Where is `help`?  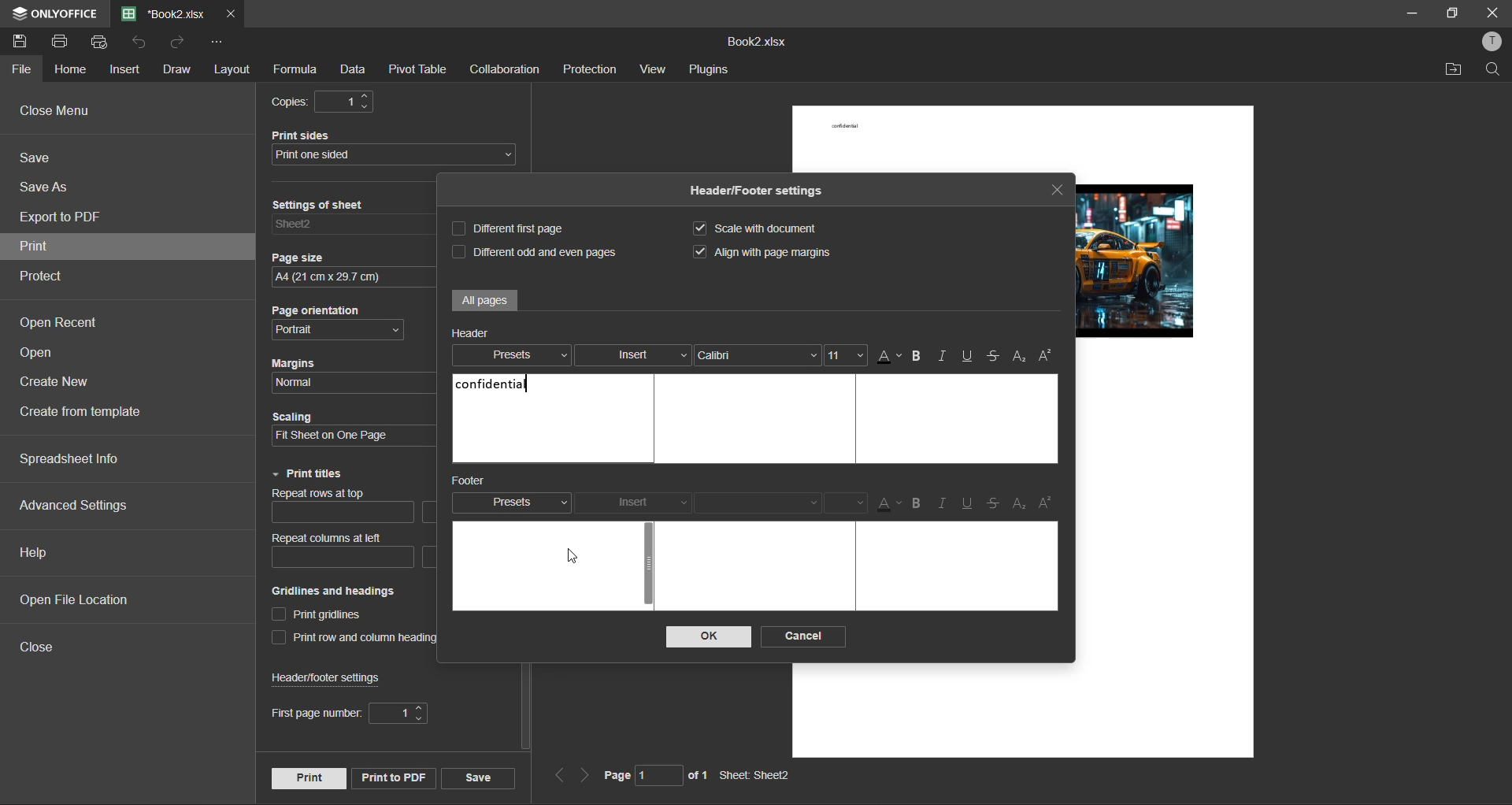 help is located at coordinates (39, 553).